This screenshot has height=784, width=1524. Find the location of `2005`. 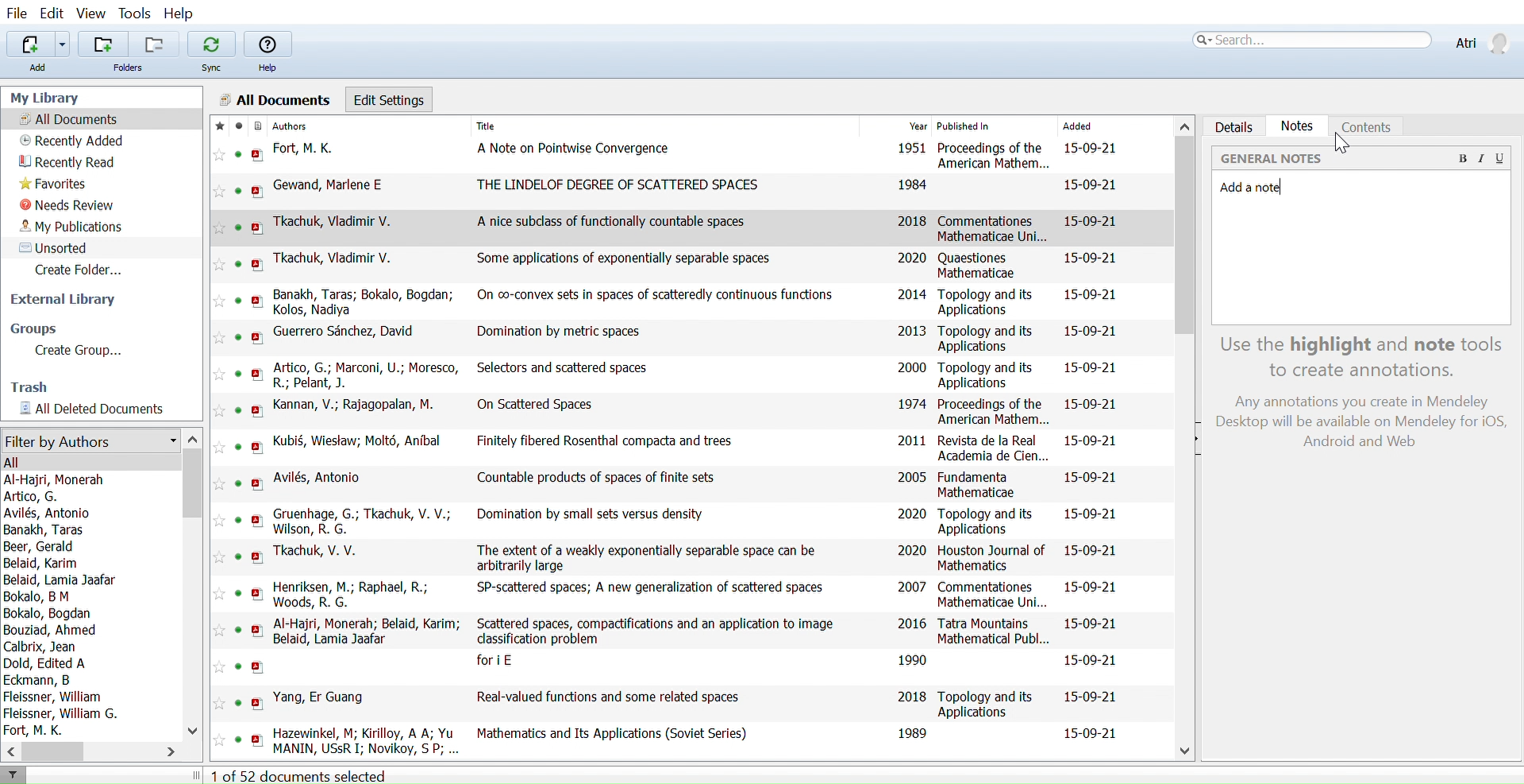

2005 is located at coordinates (910, 478).